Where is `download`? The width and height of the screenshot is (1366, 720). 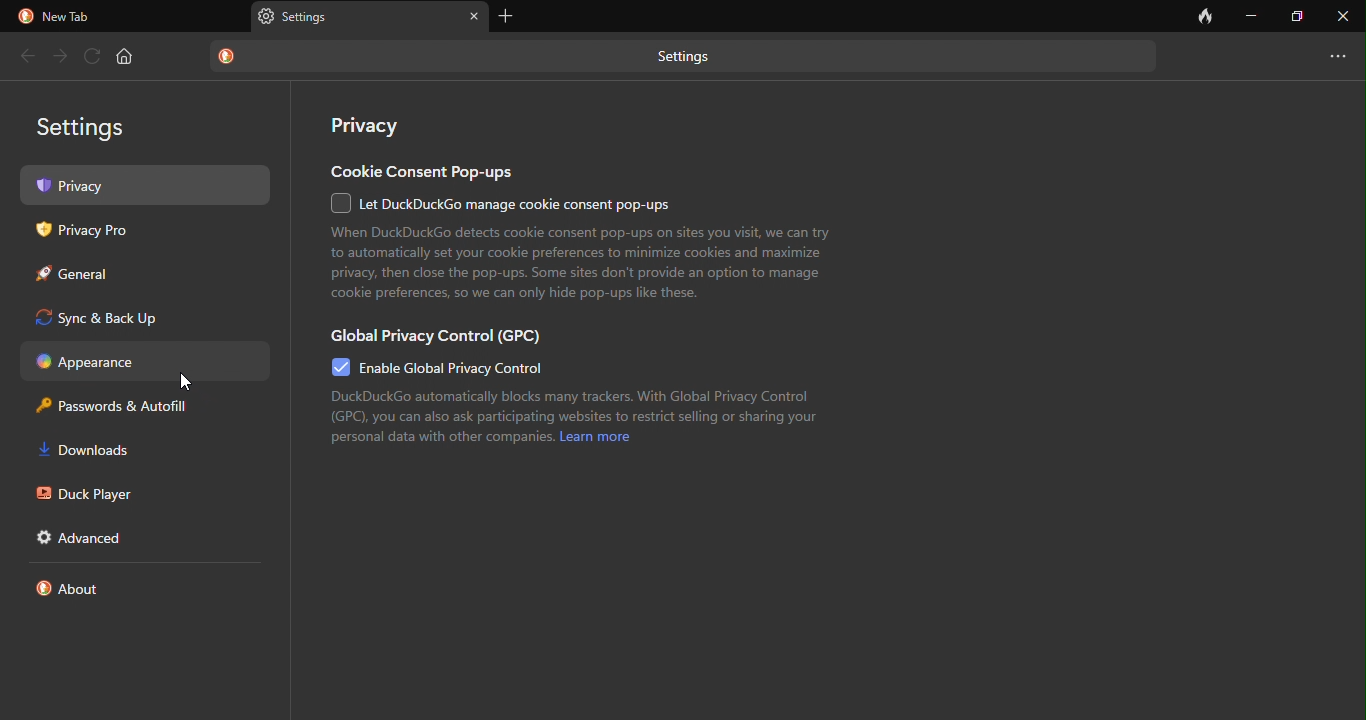 download is located at coordinates (96, 452).